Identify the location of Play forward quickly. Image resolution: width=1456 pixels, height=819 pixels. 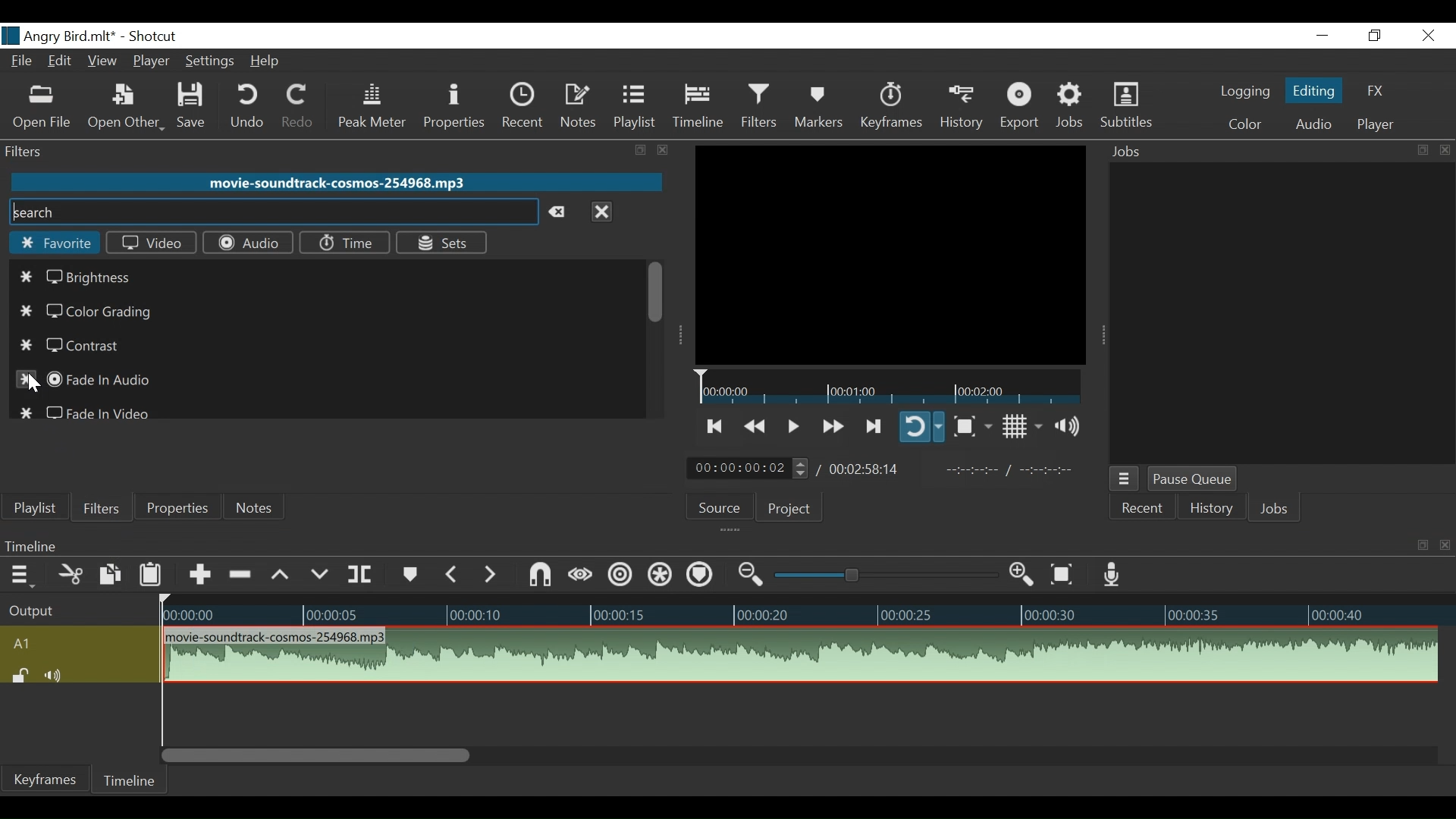
(874, 425).